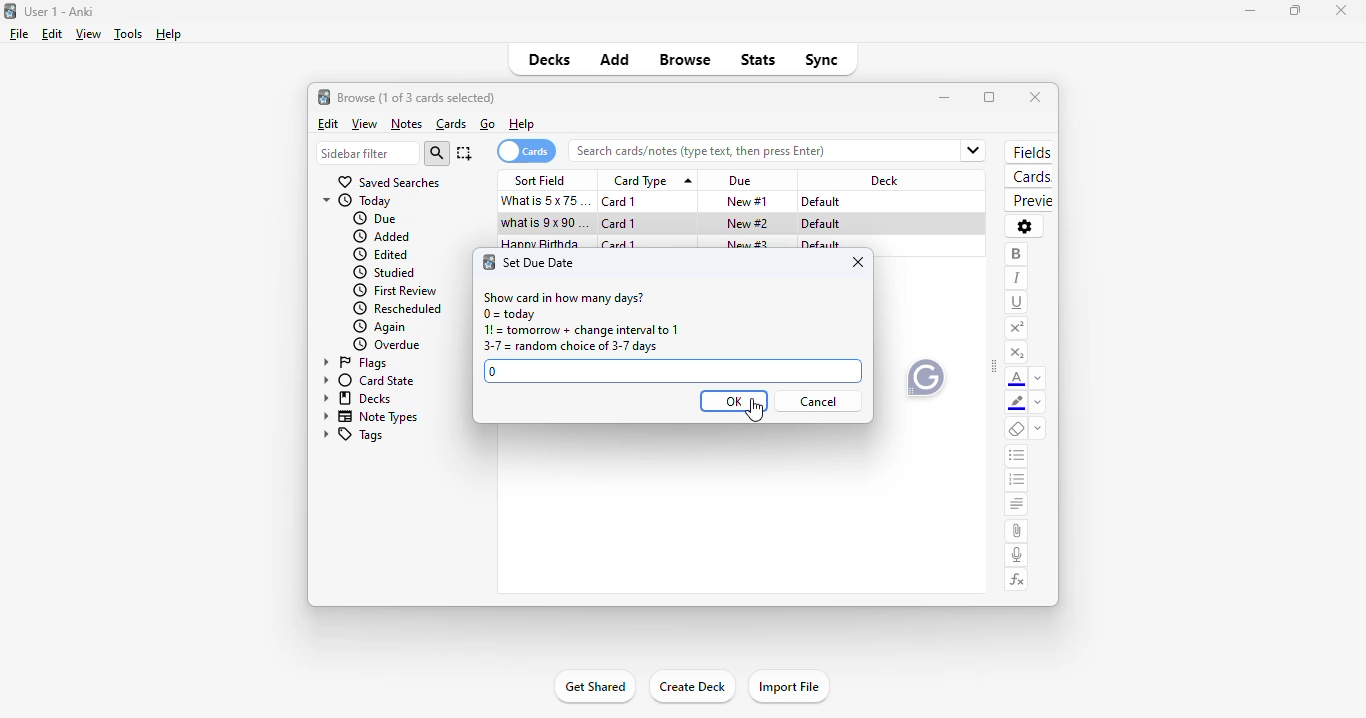  I want to click on card 1, so click(619, 246).